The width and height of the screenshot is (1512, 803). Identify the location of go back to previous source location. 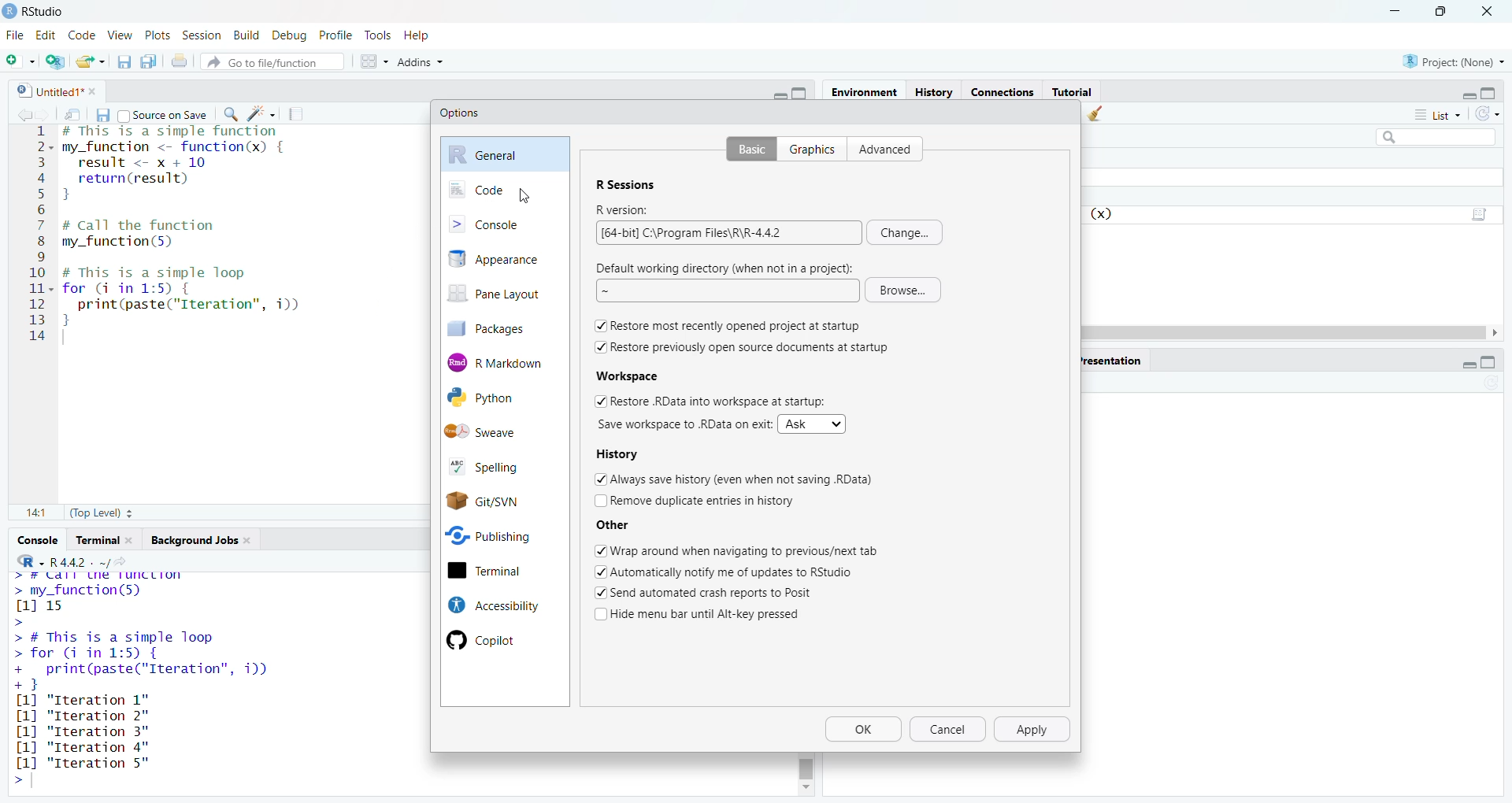
(17, 113).